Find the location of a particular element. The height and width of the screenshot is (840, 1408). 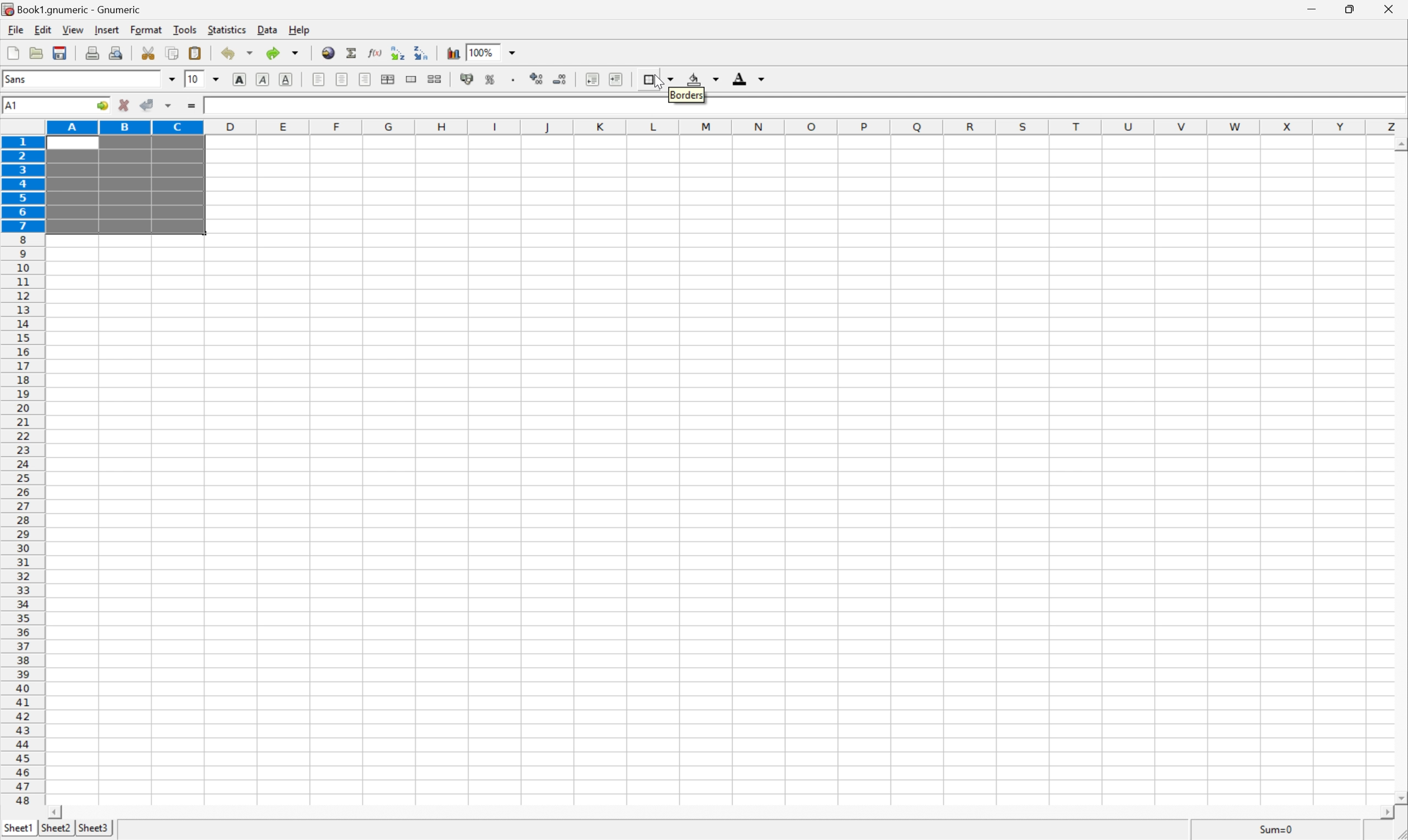

sheet2 is located at coordinates (54, 831).